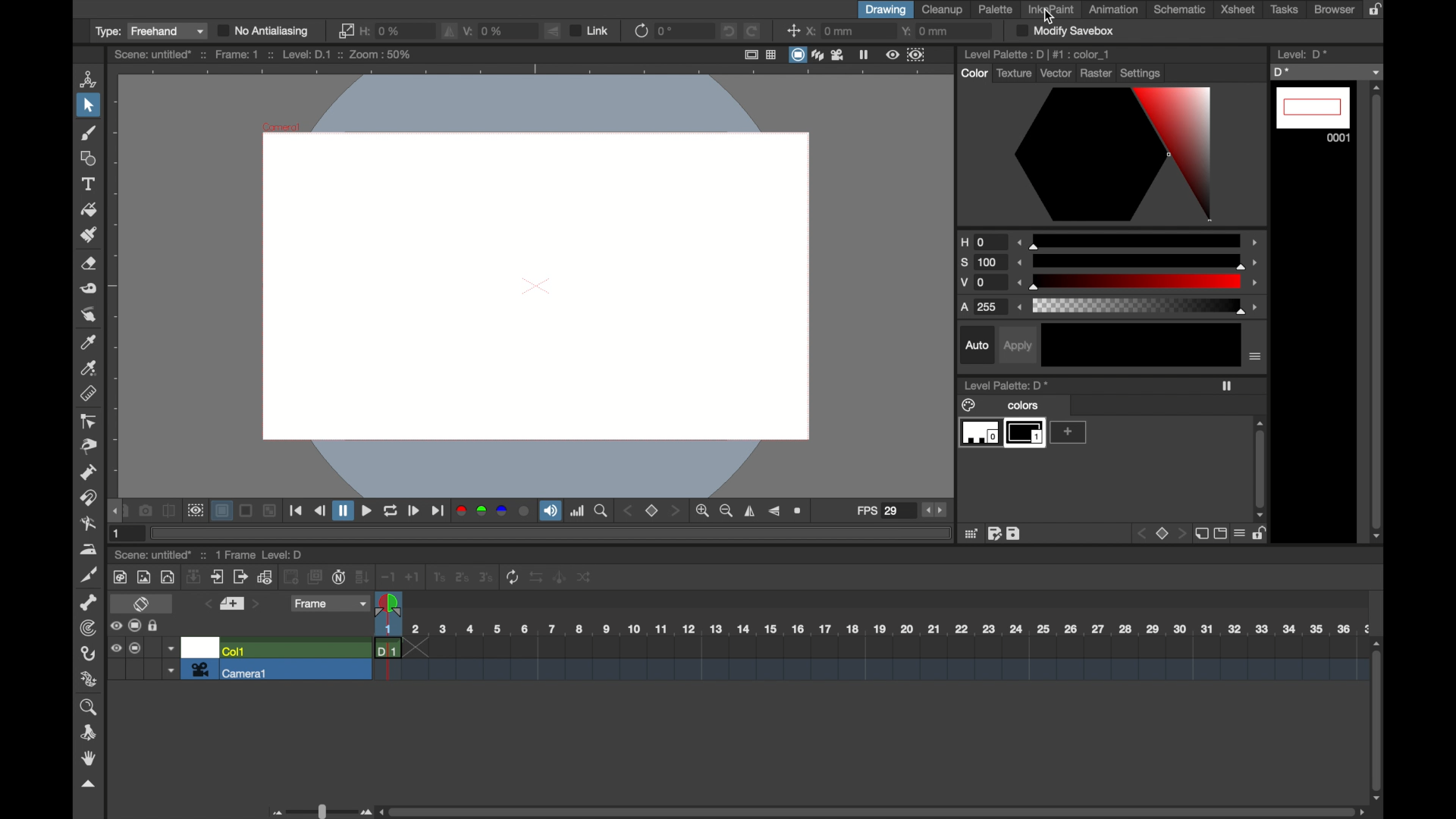  Describe the element at coordinates (342, 510) in the screenshot. I see `pause` at that location.